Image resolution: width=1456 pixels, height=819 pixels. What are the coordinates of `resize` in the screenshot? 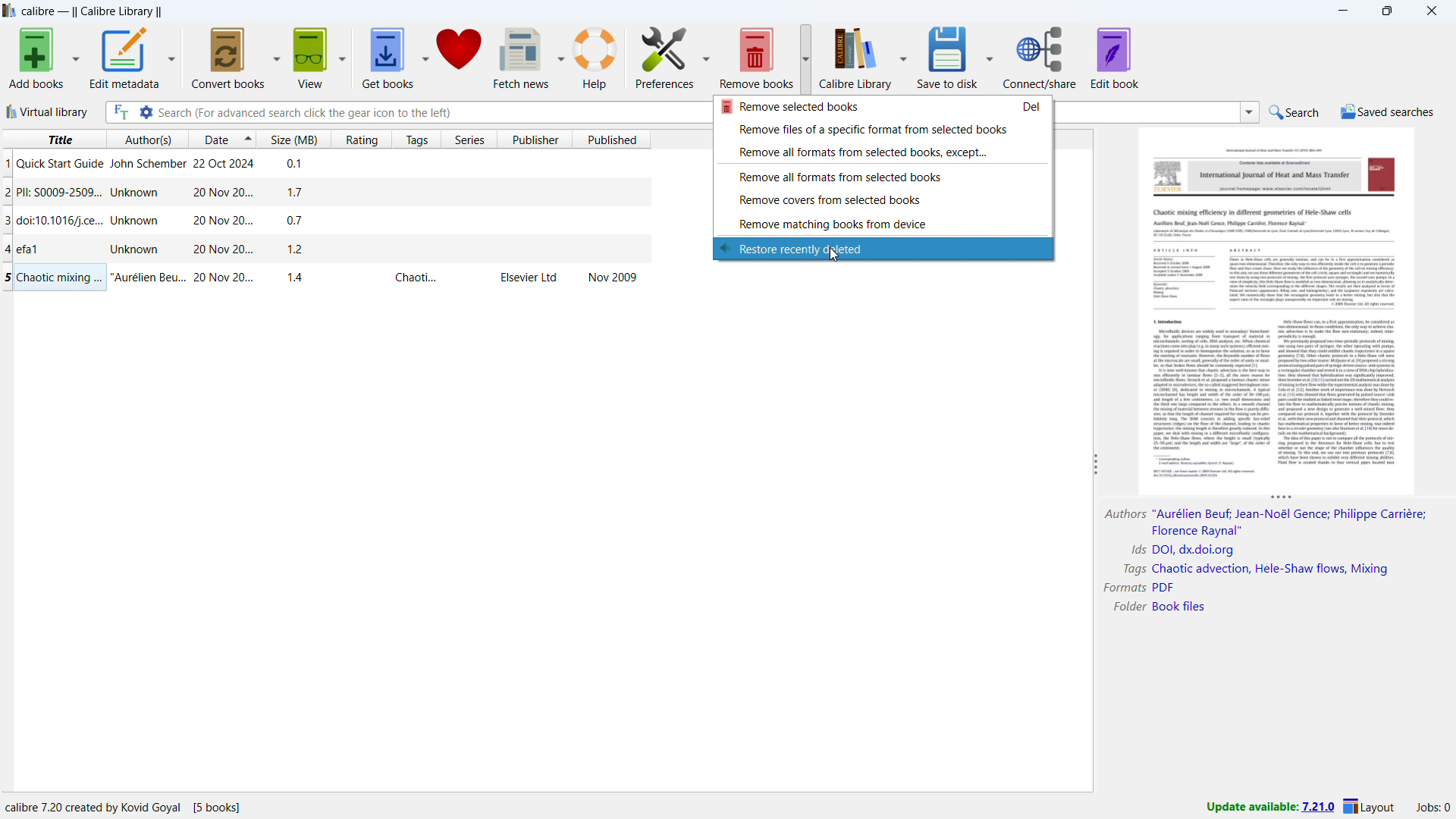 It's located at (1094, 465).